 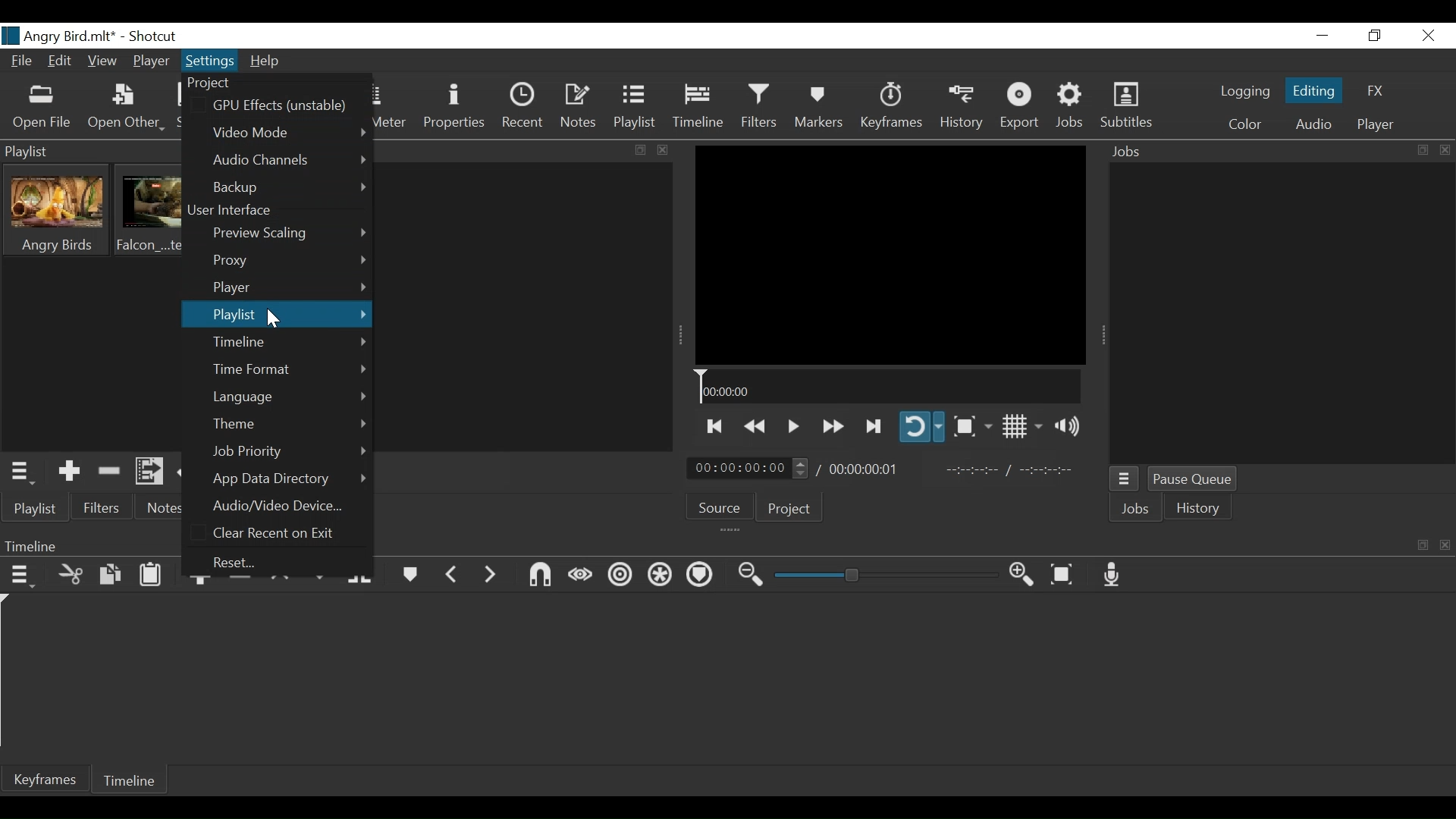 I want to click on minimize, so click(x=1323, y=36).